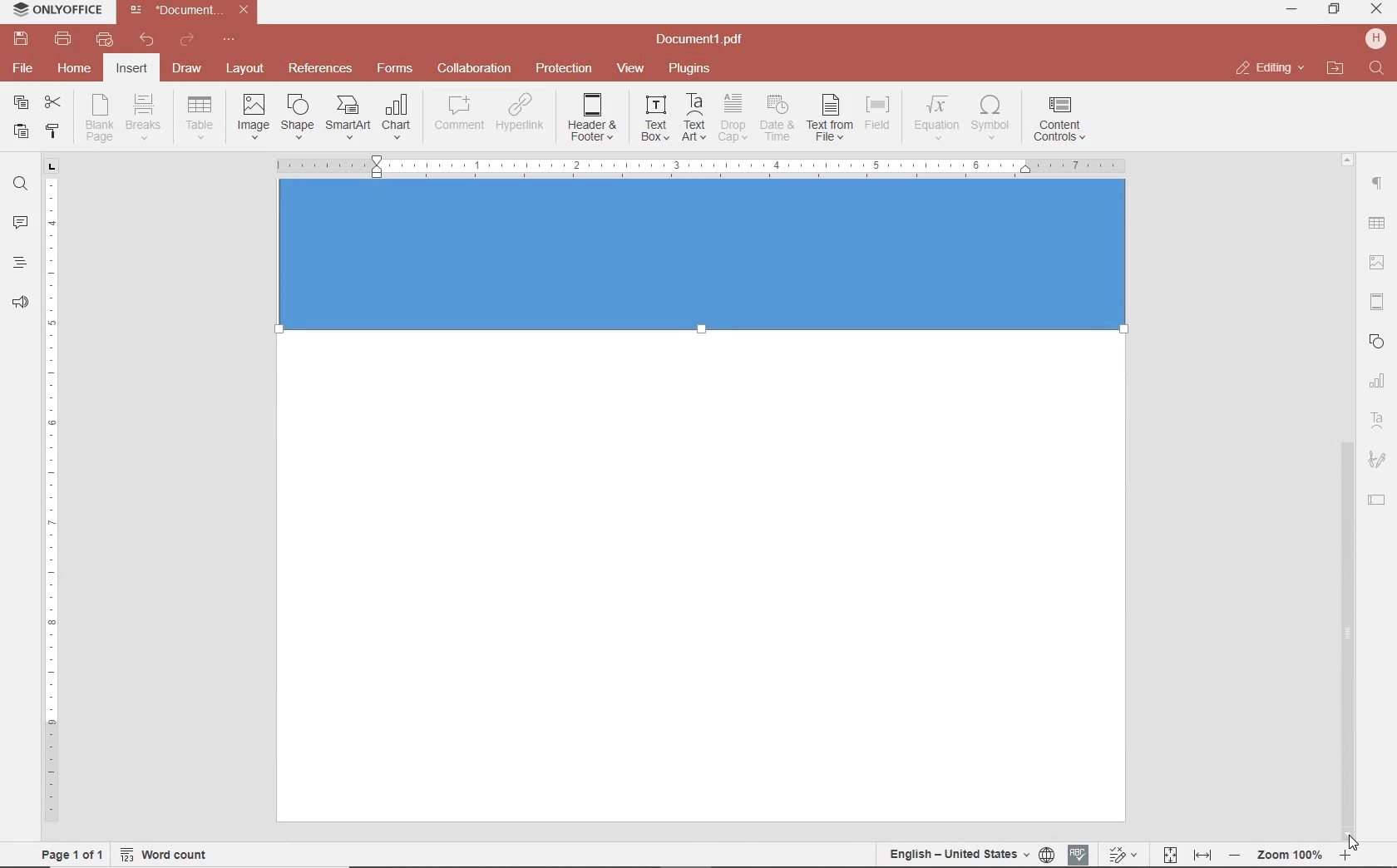 Image resolution: width=1397 pixels, height=868 pixels. Describe the element at coordinates (185, 42) in the screenshot. I see `redo` at that location.